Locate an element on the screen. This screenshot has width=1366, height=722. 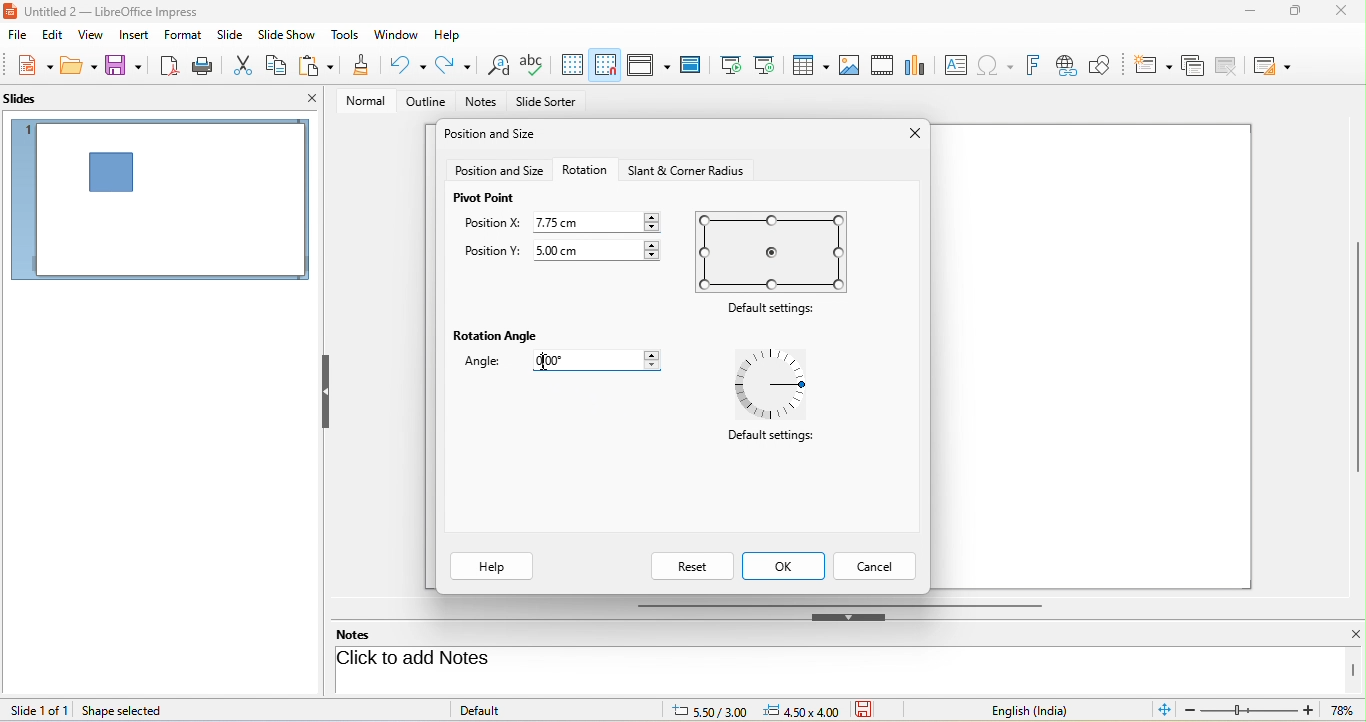
copy is located at coordinates (278, 63).